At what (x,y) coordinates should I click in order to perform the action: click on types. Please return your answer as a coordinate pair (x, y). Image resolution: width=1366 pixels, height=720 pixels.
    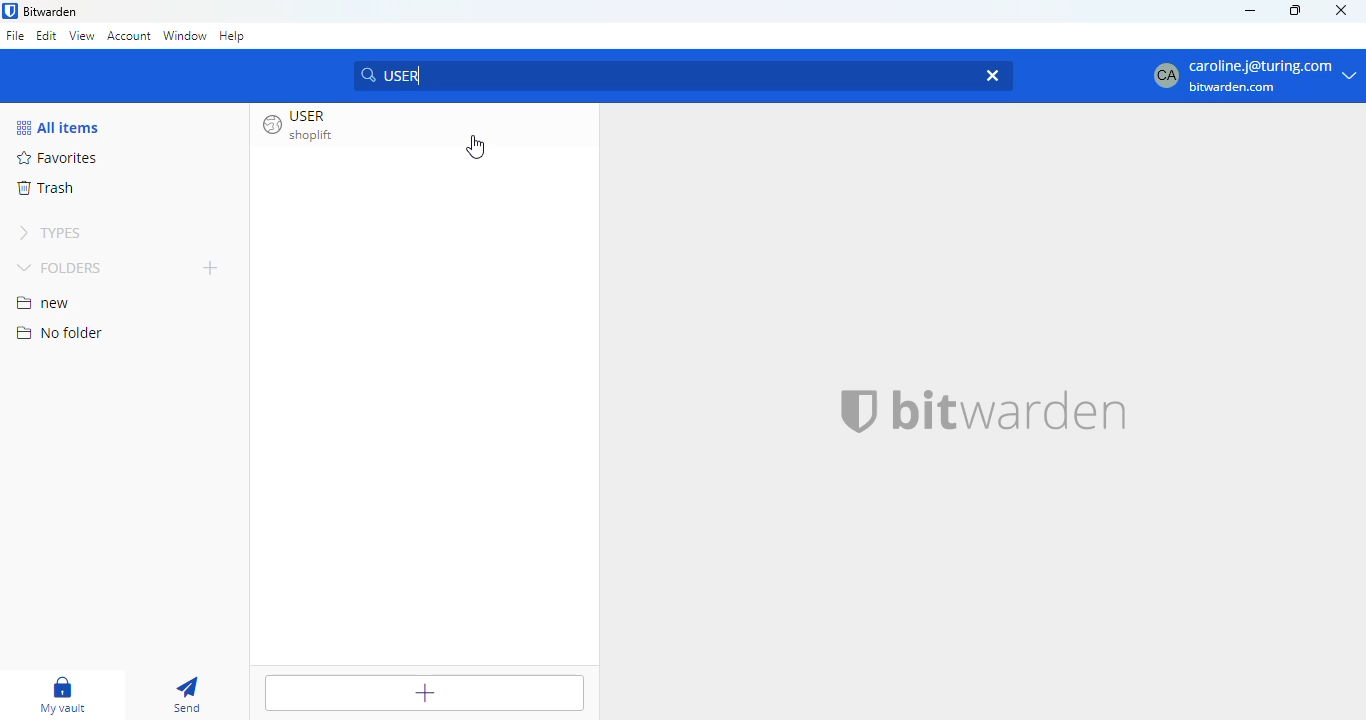
    Looking at the image, I should click on (54, 233).